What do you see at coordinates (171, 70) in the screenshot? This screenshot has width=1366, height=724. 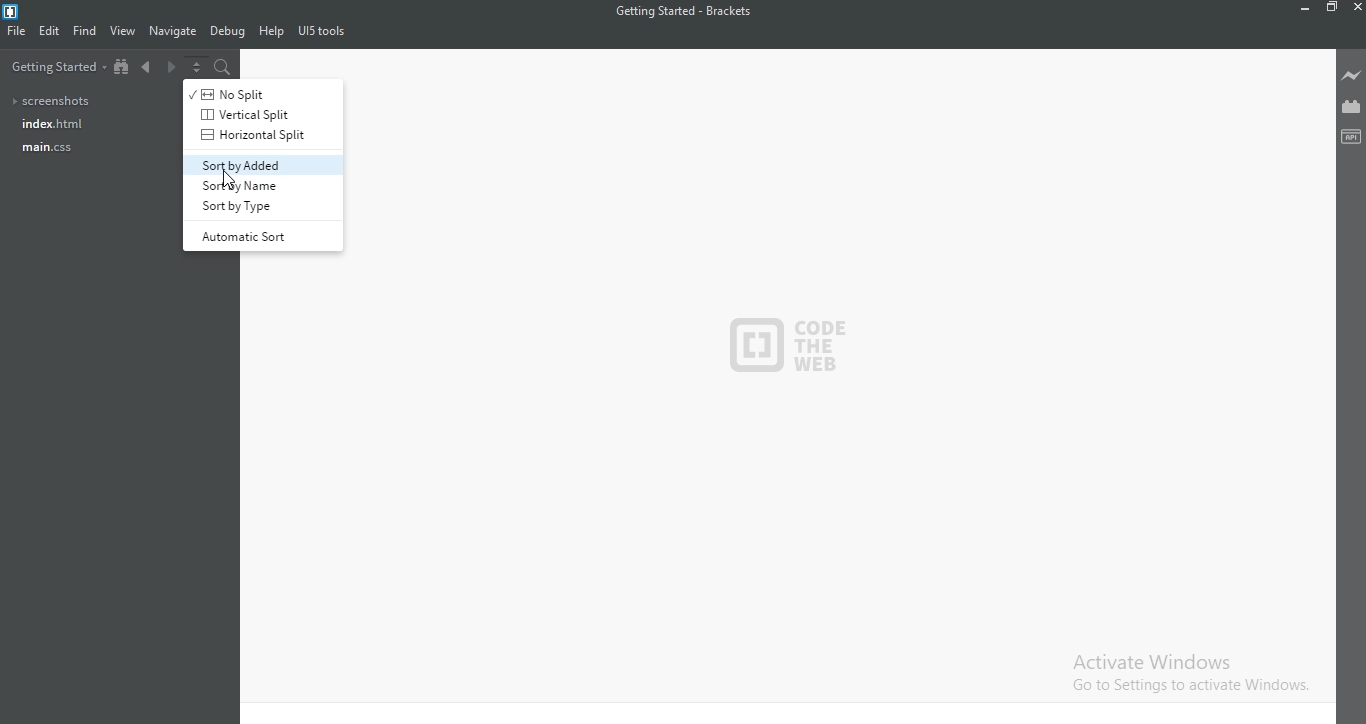 I see `Next document` at bounding box center [171, 70].